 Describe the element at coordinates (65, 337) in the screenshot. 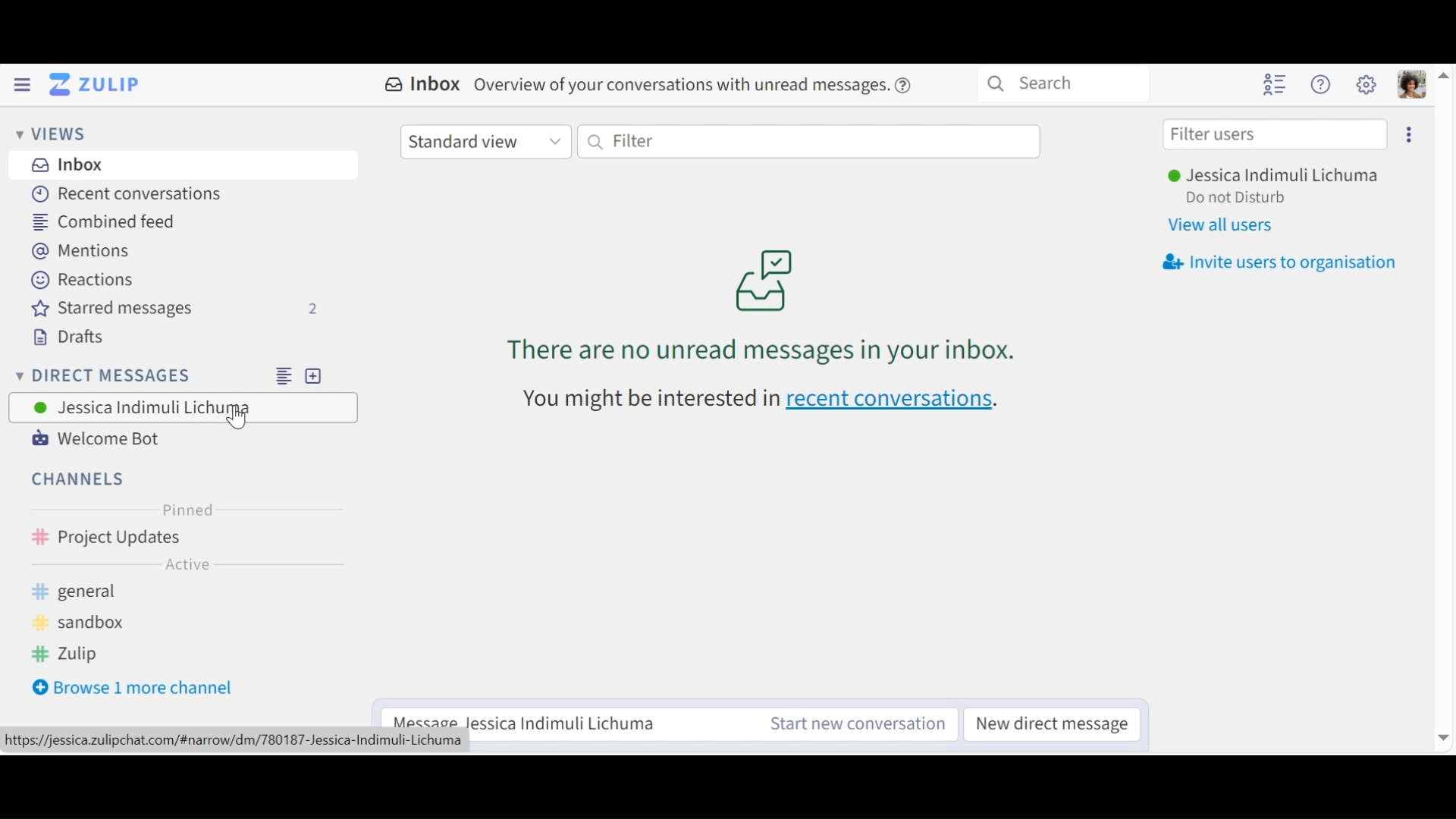

I see `Drafts` at that location.